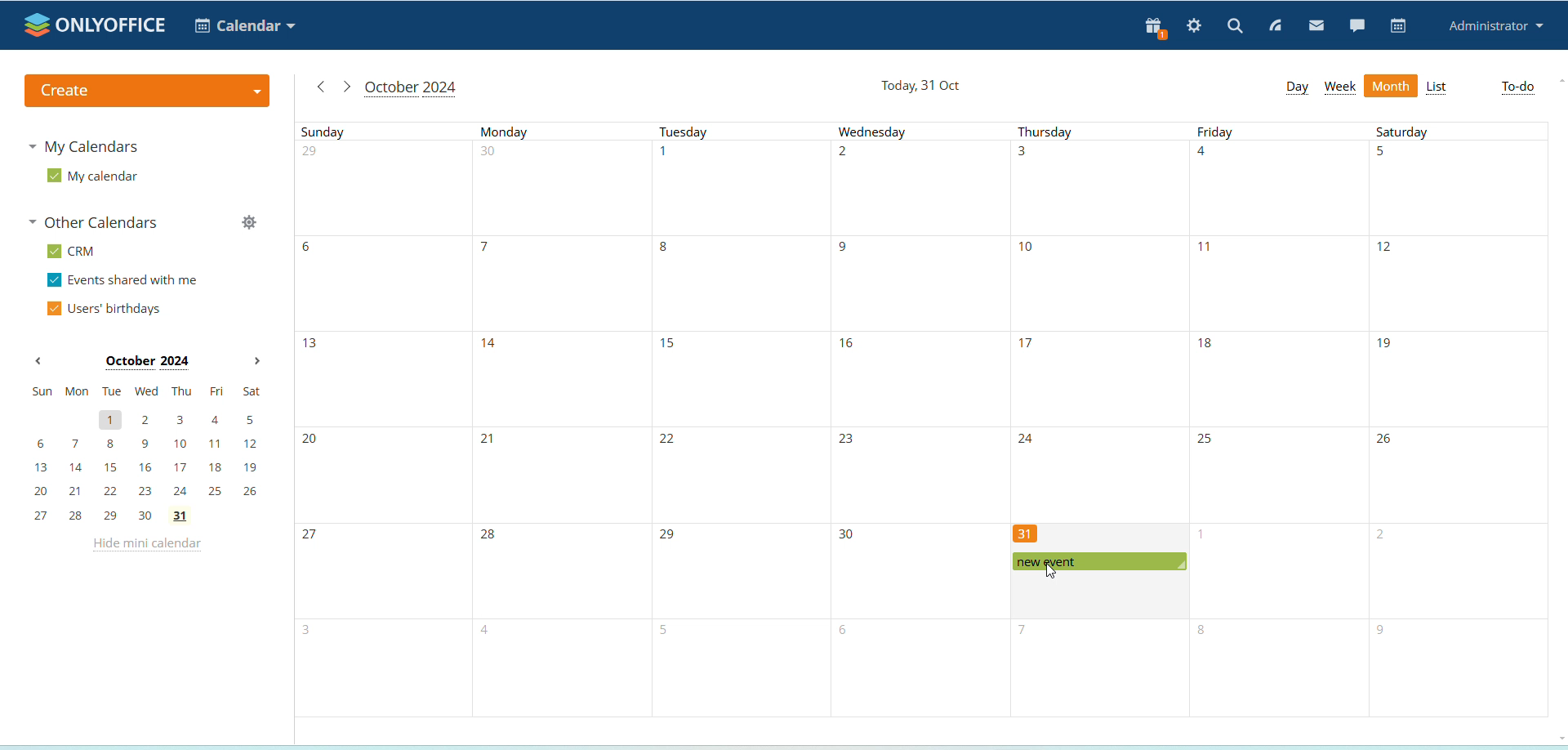  I want to click on settings, so click(1195, 27).